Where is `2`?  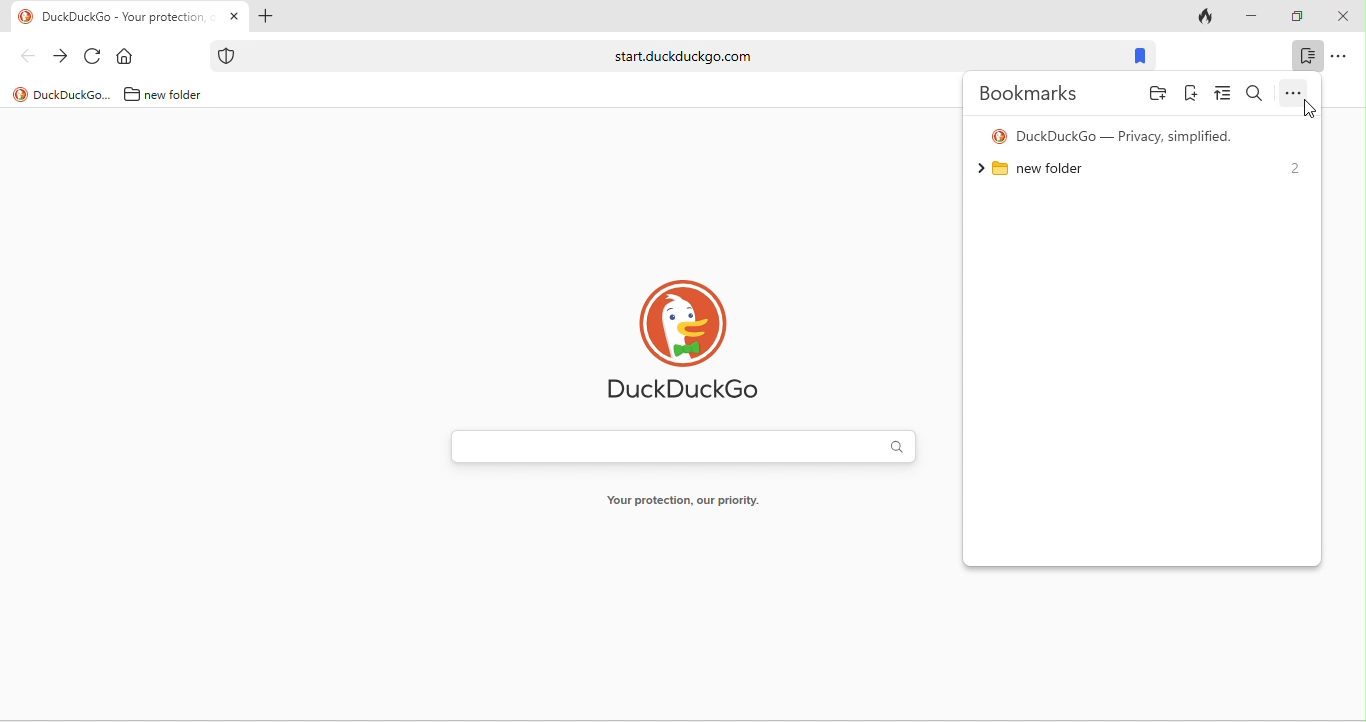 2 is located at coordinates (1295, 168).